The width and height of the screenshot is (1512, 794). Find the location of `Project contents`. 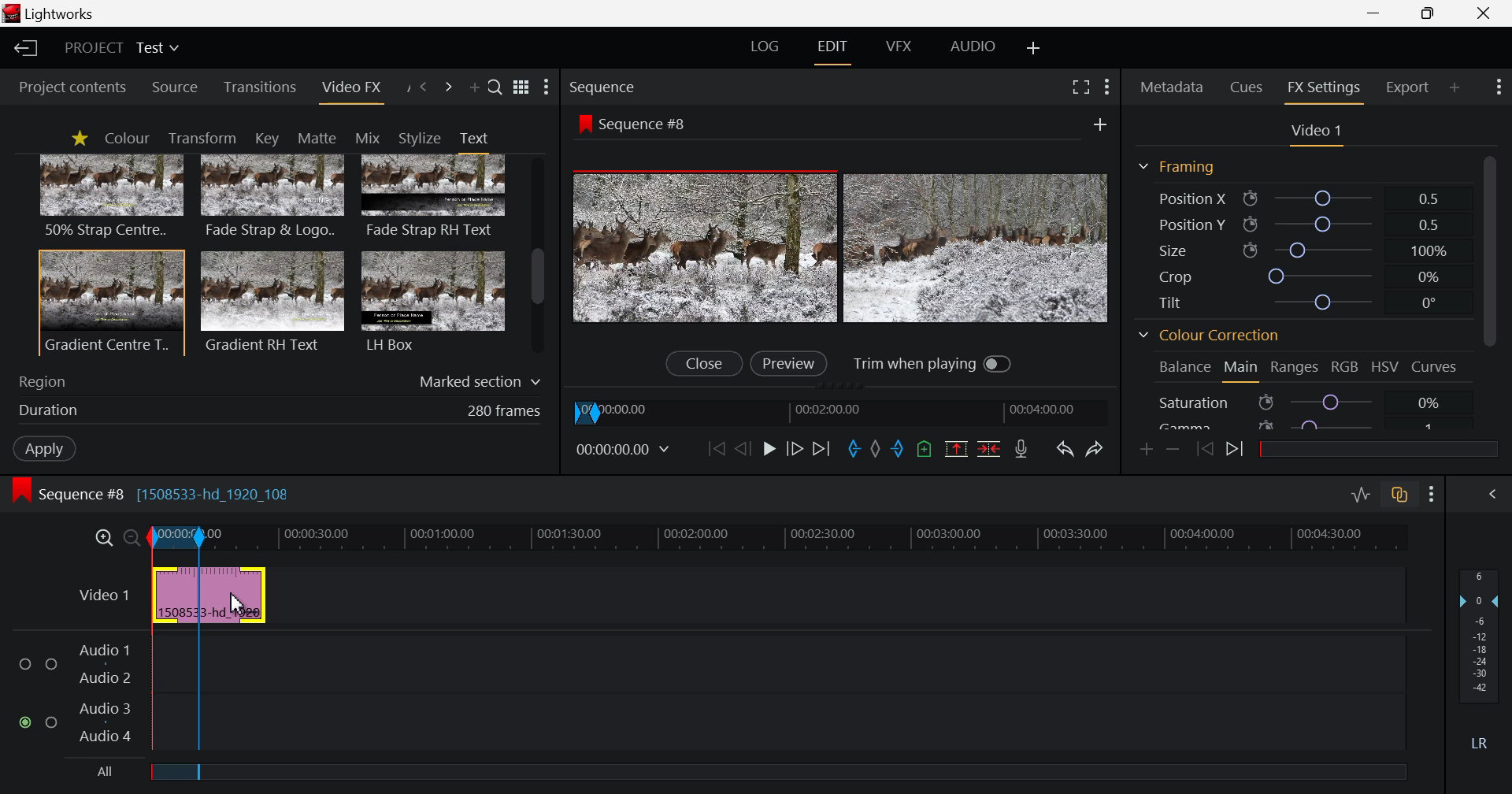

Project contents is located at coordinates (71, 87).